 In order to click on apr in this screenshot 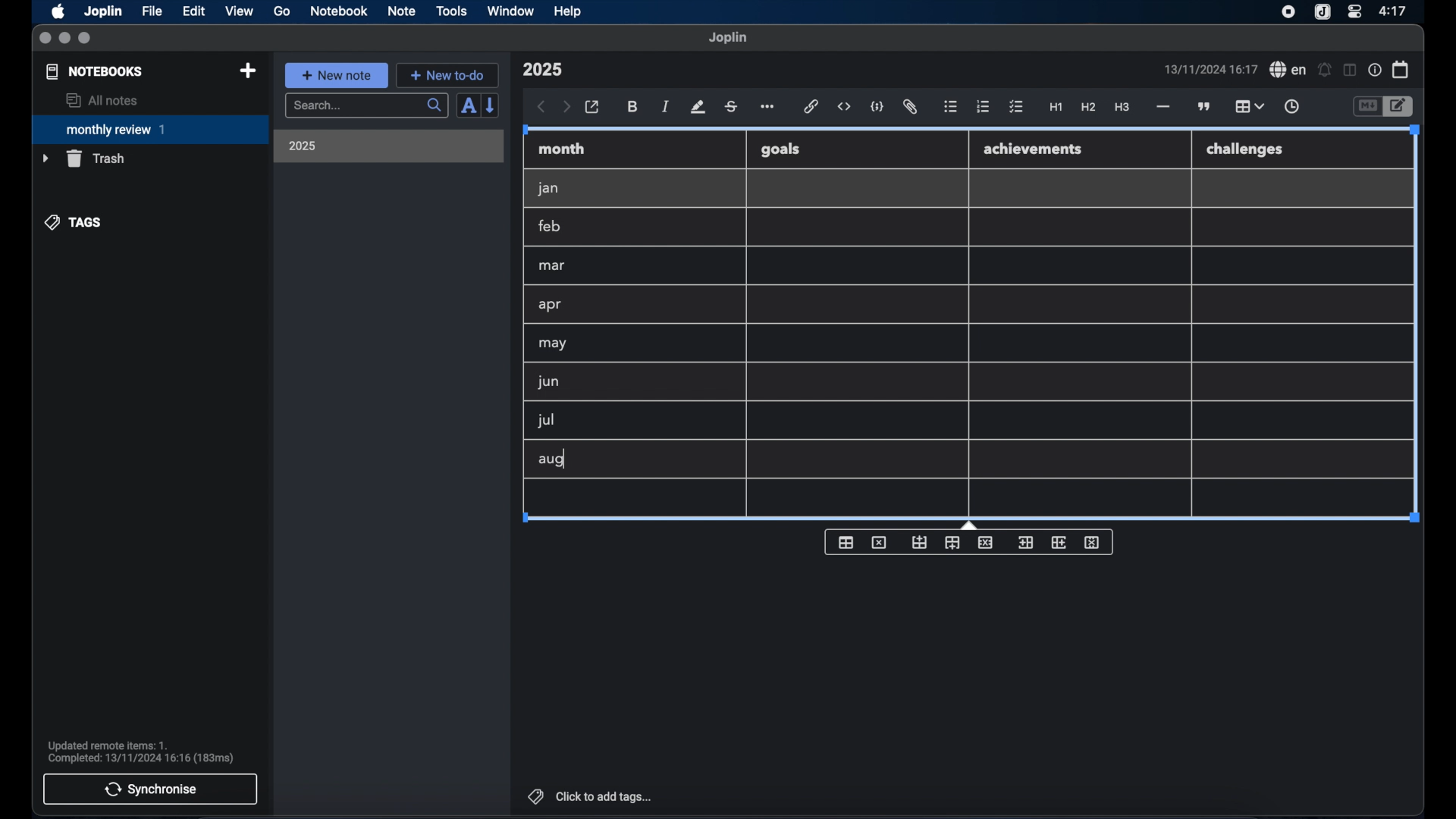, I will do `click(551, 305)`.